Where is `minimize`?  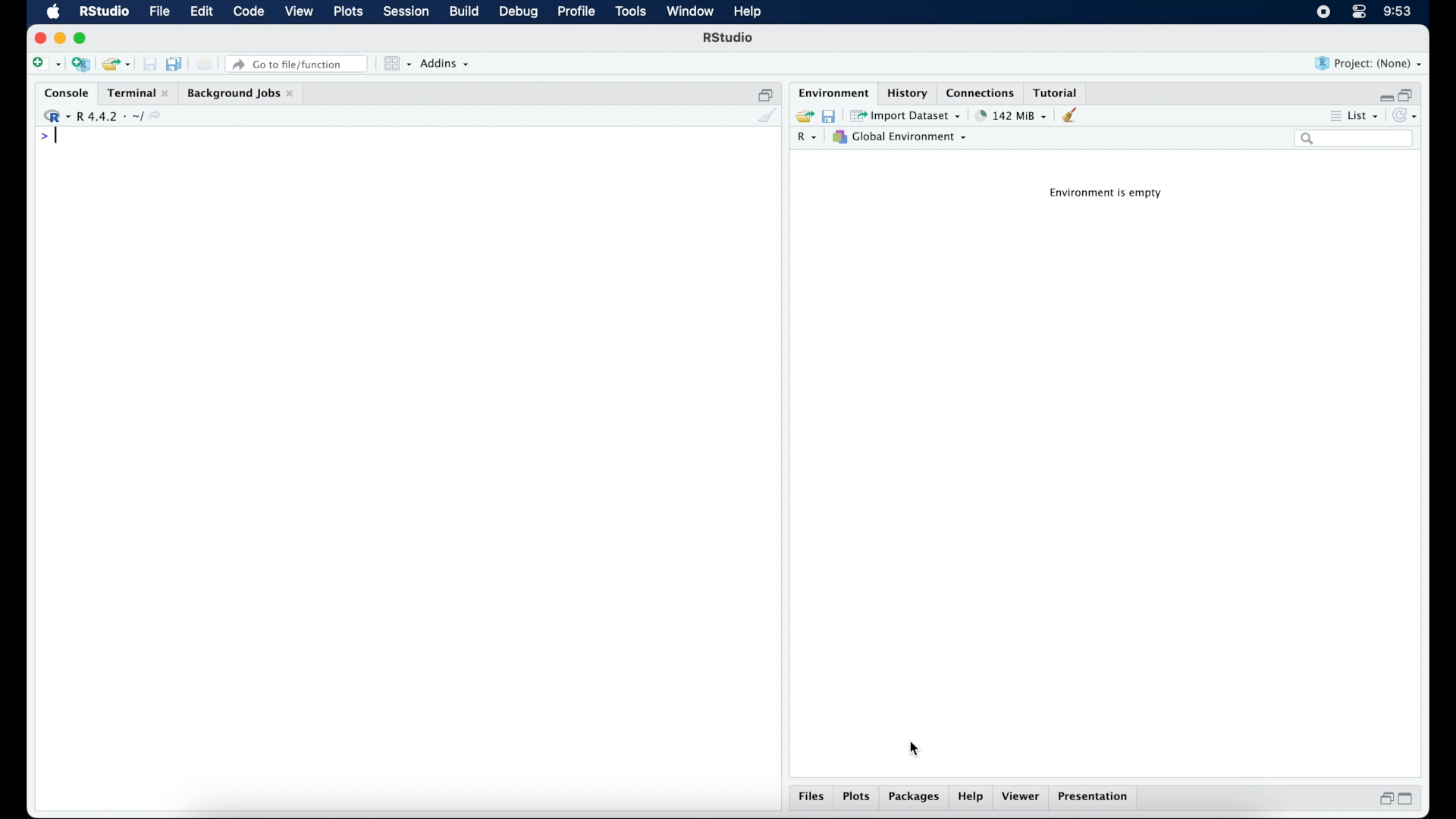 minimize is located at coordinates (1383, 95).